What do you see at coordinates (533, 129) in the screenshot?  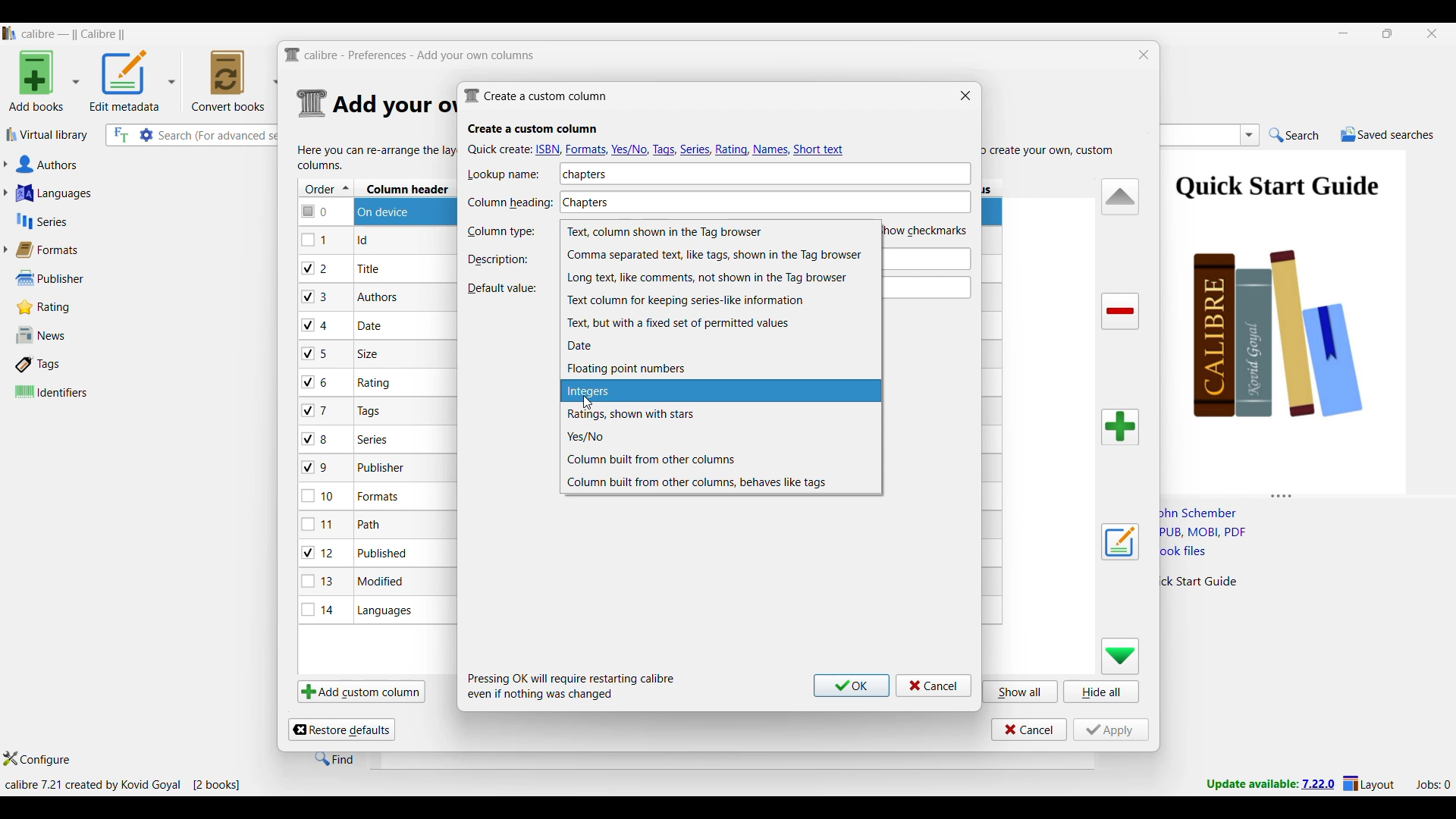 I see `Section title` at bounding box center [533, 129].